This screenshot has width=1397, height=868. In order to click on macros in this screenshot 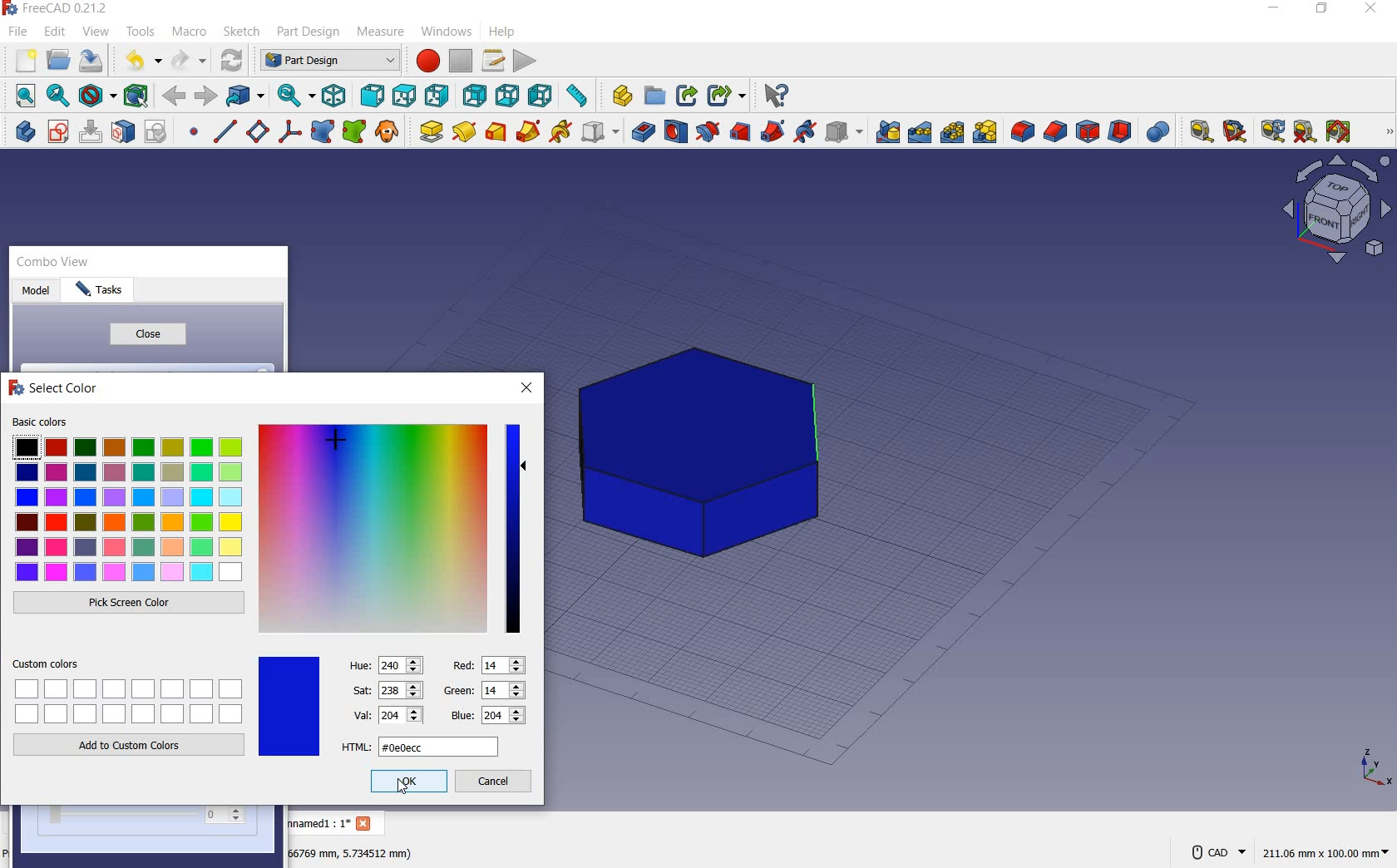, I will do `click(492, 61)`.